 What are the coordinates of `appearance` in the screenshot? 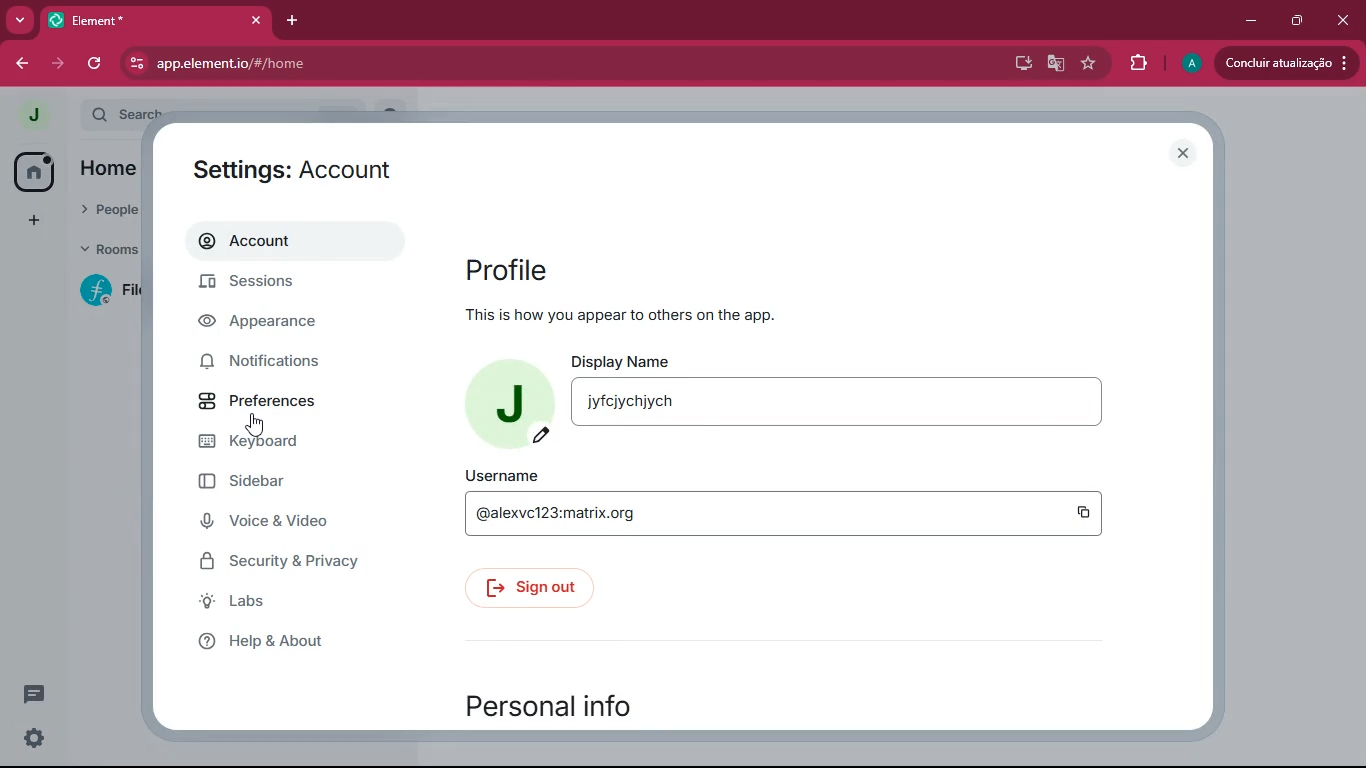 It's located at (282, 322).